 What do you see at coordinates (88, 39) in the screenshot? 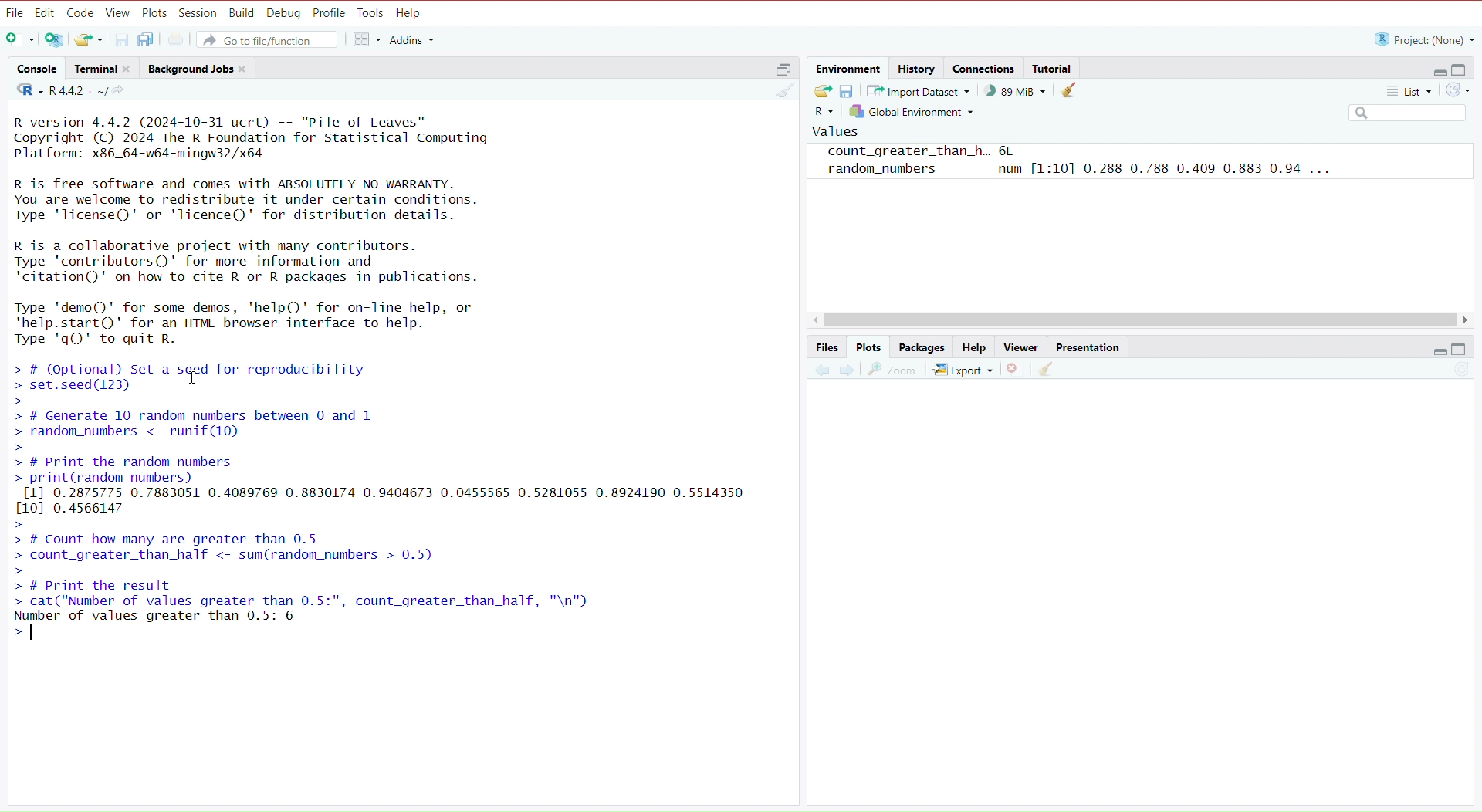
I see `Open existing file` at bounding box center [88, 39].